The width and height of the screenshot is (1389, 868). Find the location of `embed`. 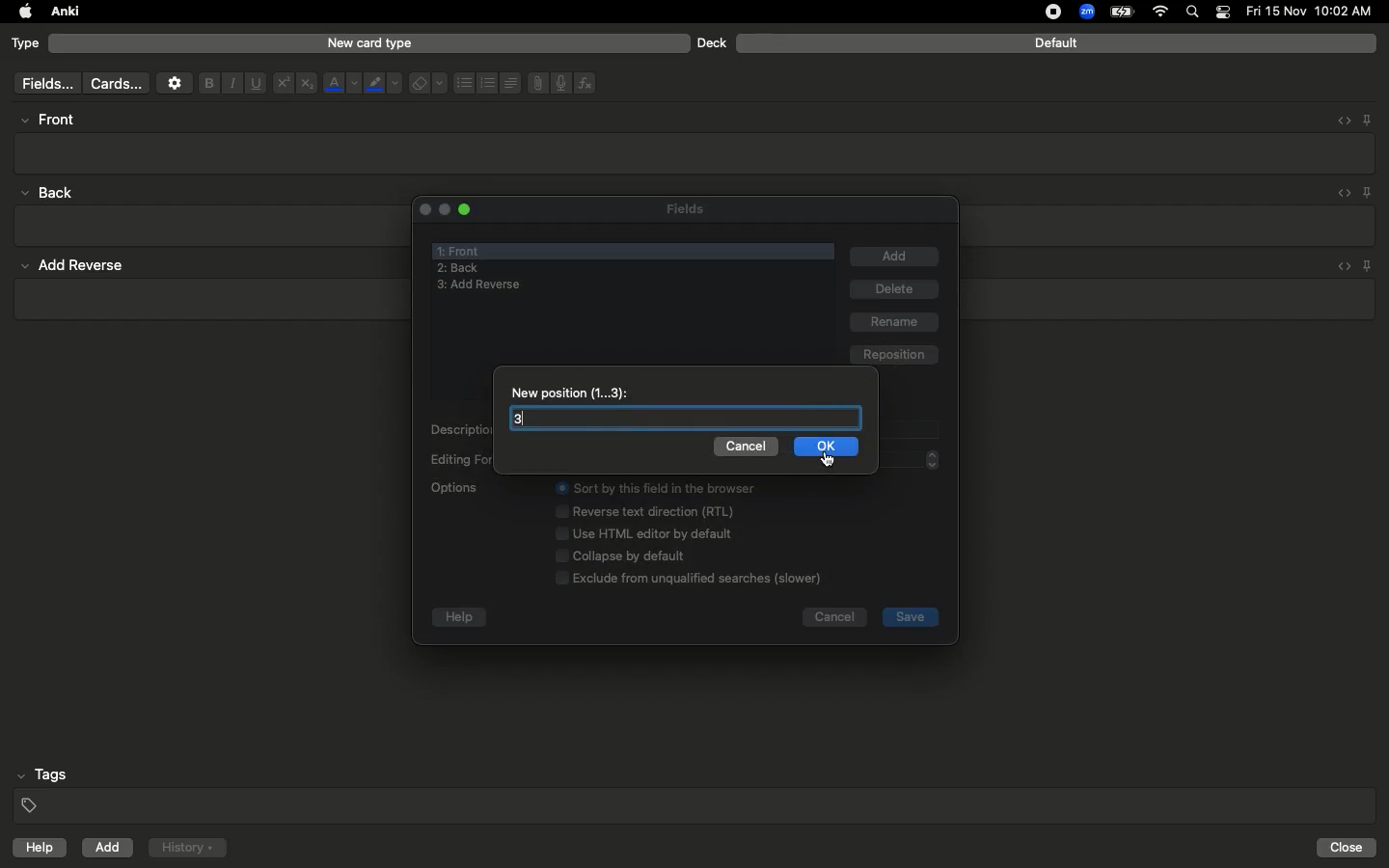

embed is located at coordinates (1342, 264).